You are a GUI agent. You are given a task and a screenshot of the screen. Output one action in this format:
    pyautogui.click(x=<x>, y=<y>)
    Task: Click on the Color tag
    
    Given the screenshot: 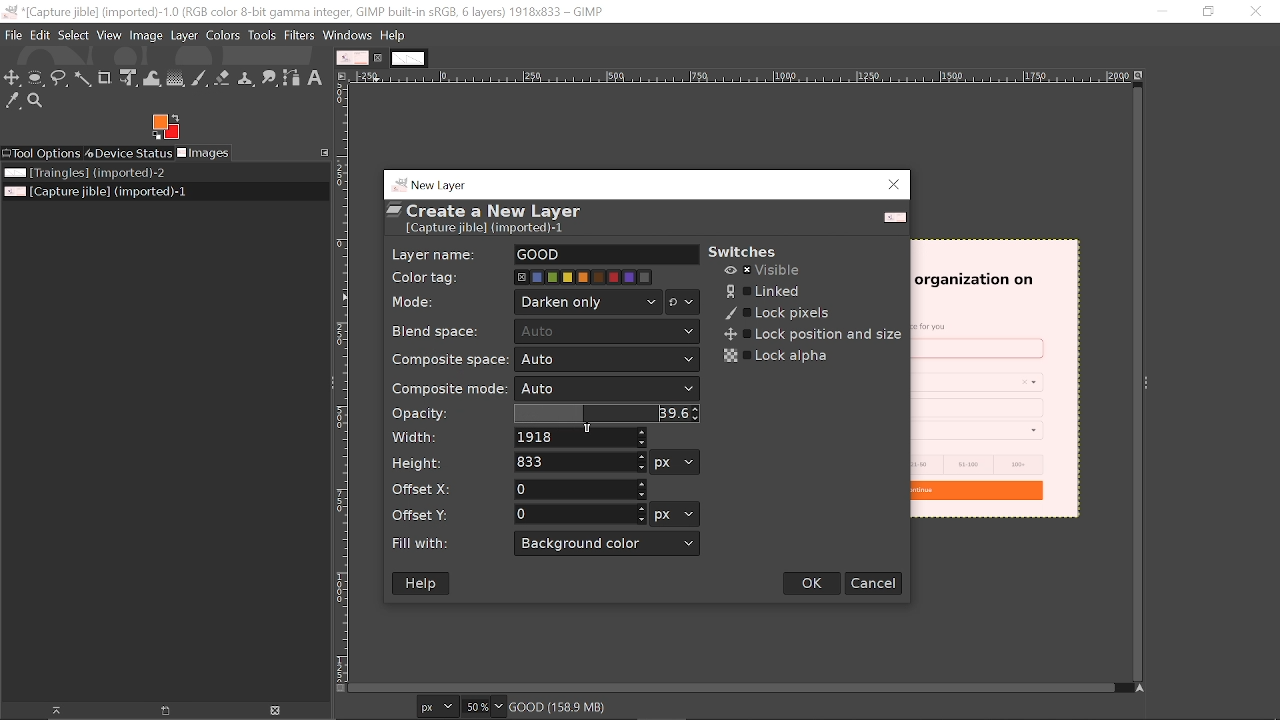 What is the action you would take?
    pyautogui.click(x=585, y=277)
    